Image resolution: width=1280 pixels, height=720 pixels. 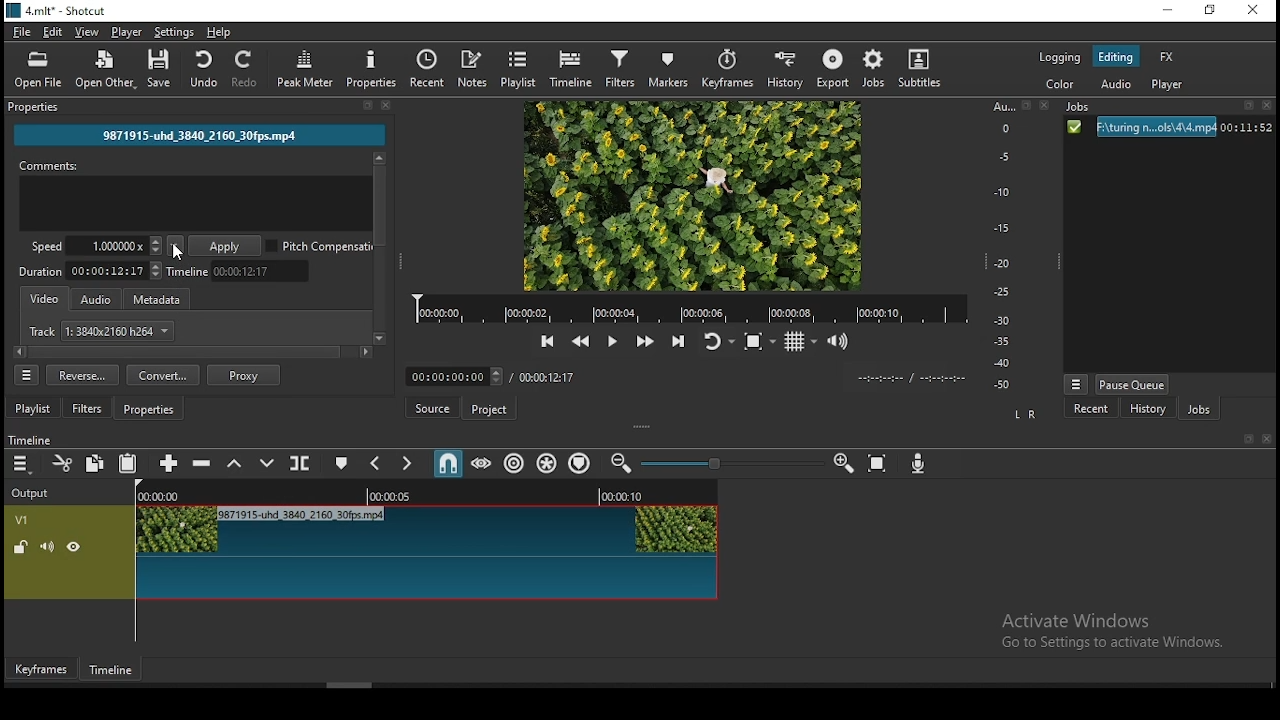 What do you see at coordinates (1023, 414) in the screenshot?
I see `Left Right` at bounding box center [1023, 414].